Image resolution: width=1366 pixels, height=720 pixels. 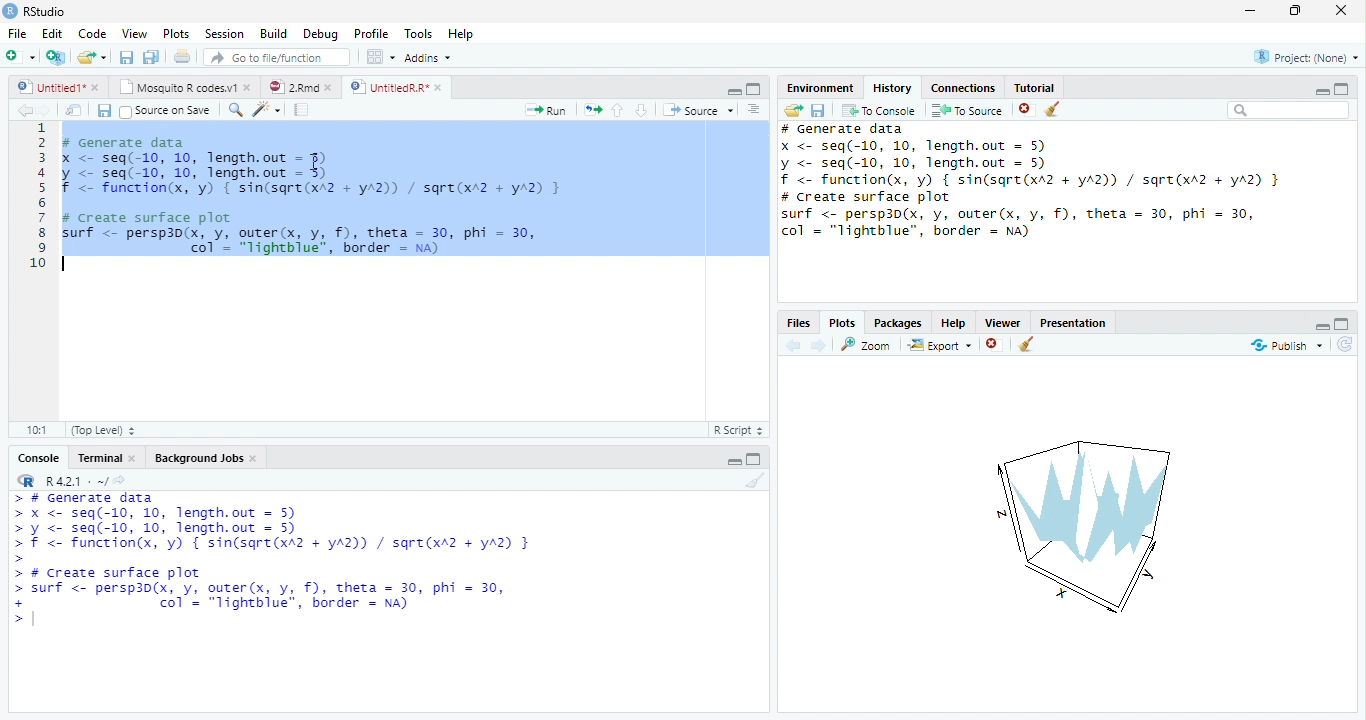 What do you see at coordinates (843, 322) in the screenshot?
I see `Plots` at bounding box center [843, 322].